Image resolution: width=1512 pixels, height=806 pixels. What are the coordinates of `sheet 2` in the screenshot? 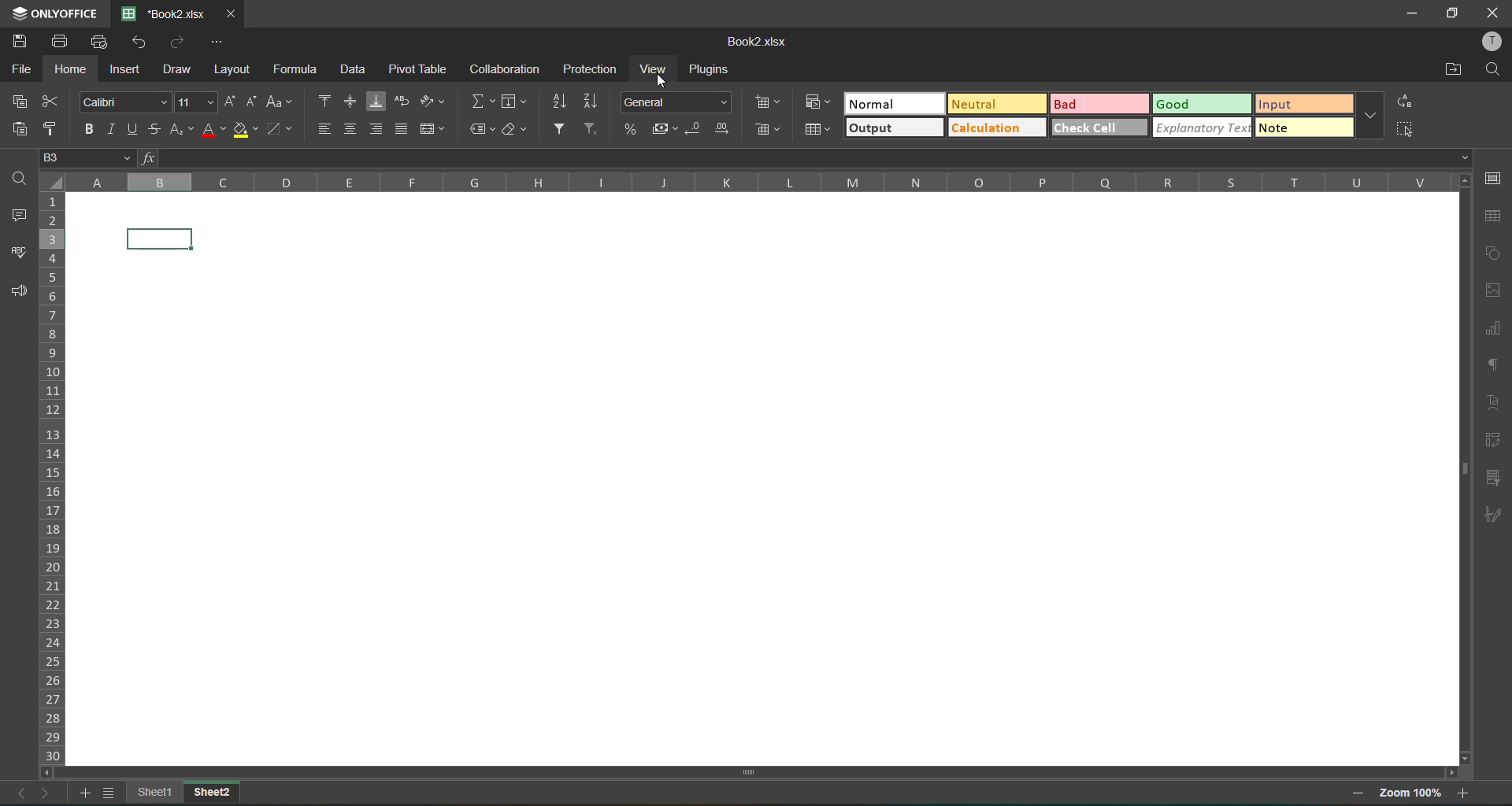 It's located at (213, 794).